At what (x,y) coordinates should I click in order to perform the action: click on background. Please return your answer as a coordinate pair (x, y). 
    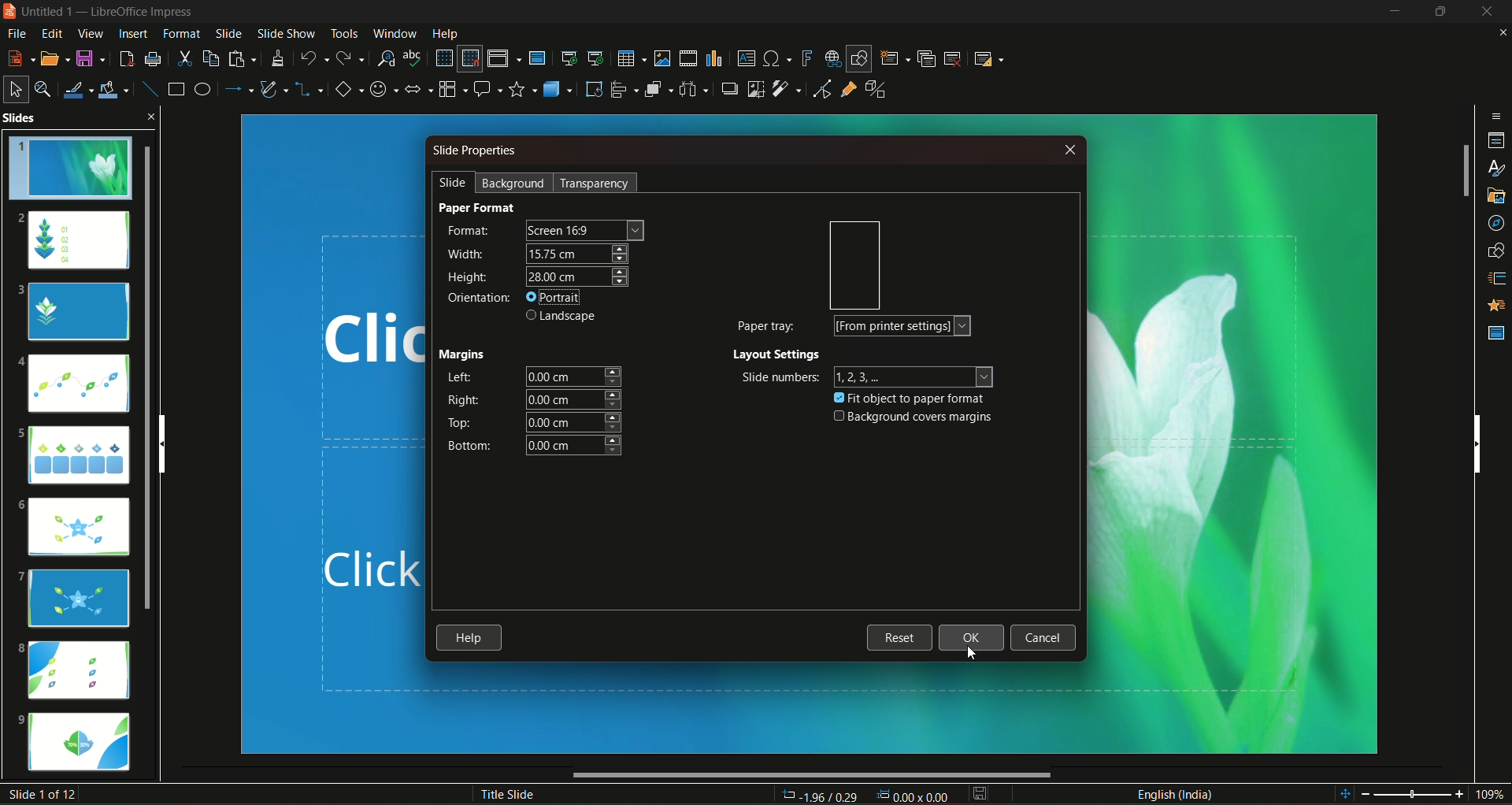
    Looking at the image, I should click on (514, 182).